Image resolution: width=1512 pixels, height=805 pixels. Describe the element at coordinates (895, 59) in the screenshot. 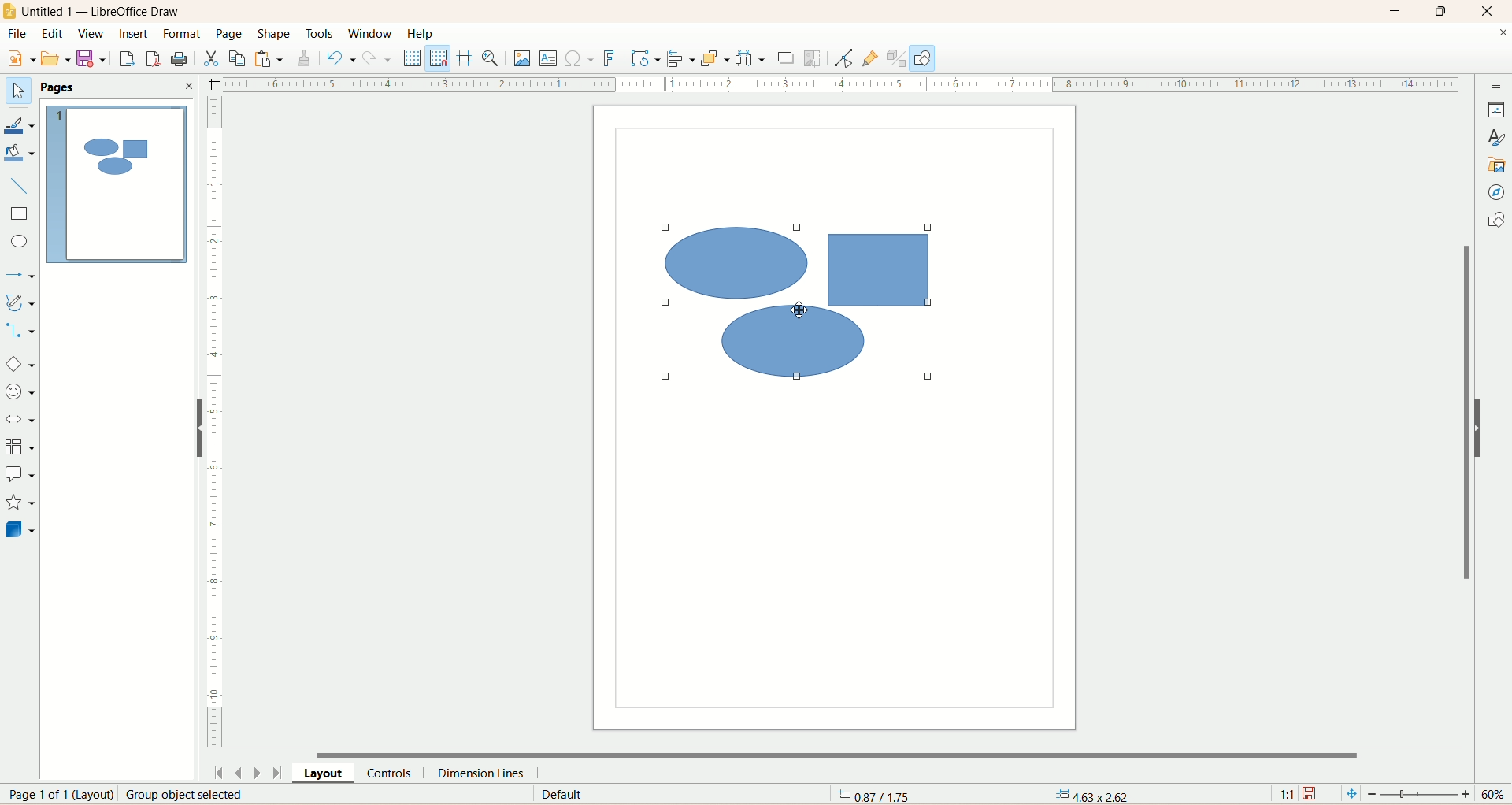

I see `toggle extrusion` at that location.